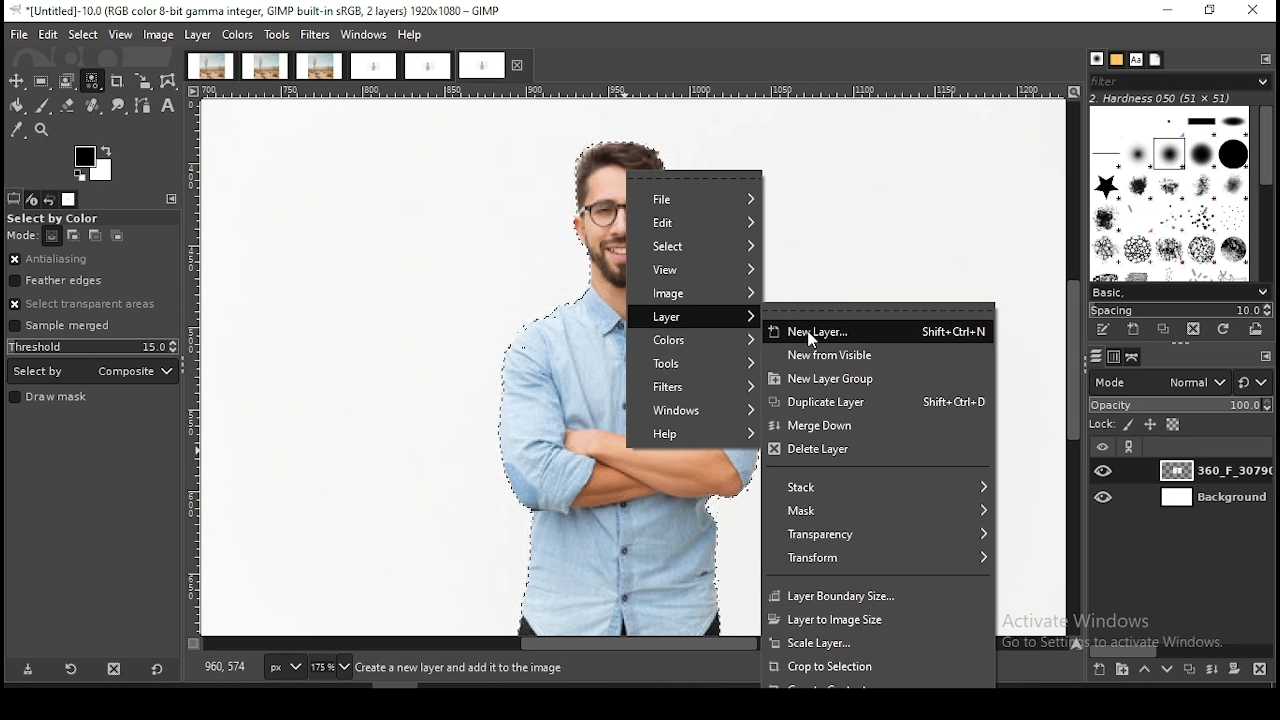  I want to click on scroll bar, so click(1182, 650).